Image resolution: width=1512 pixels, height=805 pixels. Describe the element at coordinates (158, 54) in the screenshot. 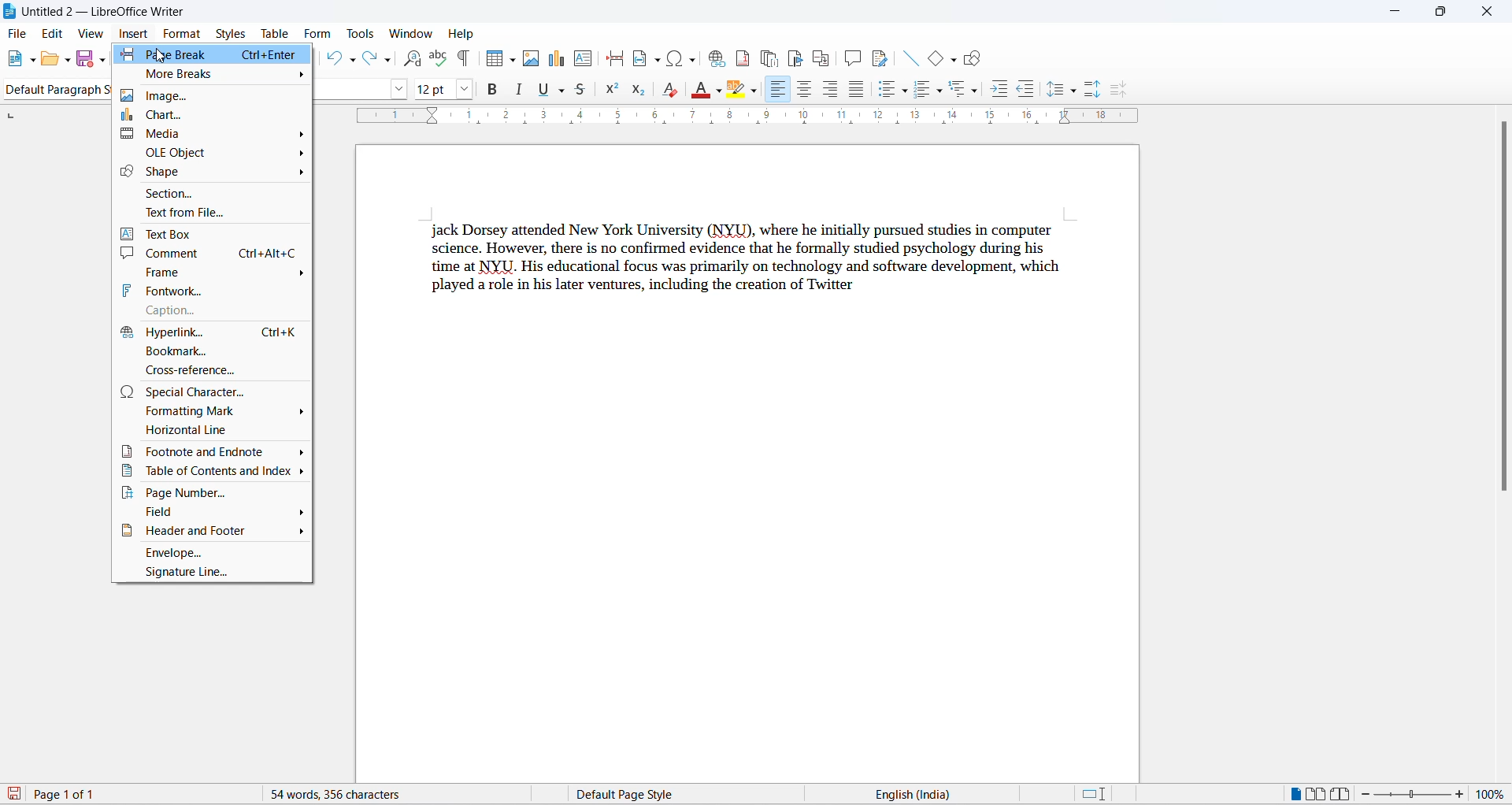

I see `cursor` at that location.